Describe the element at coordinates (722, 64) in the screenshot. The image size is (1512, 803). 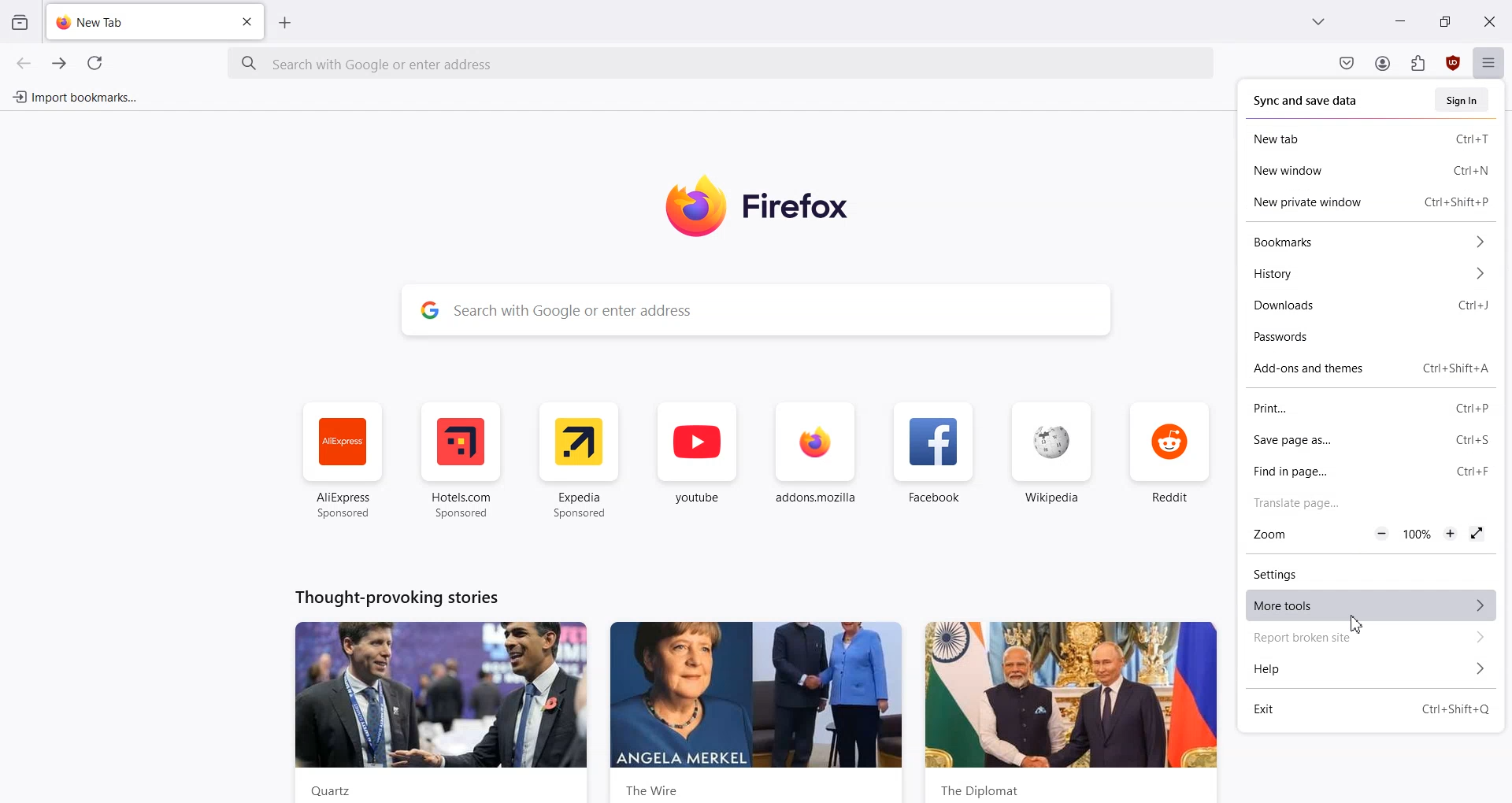
I see `Search Bar` at that location.